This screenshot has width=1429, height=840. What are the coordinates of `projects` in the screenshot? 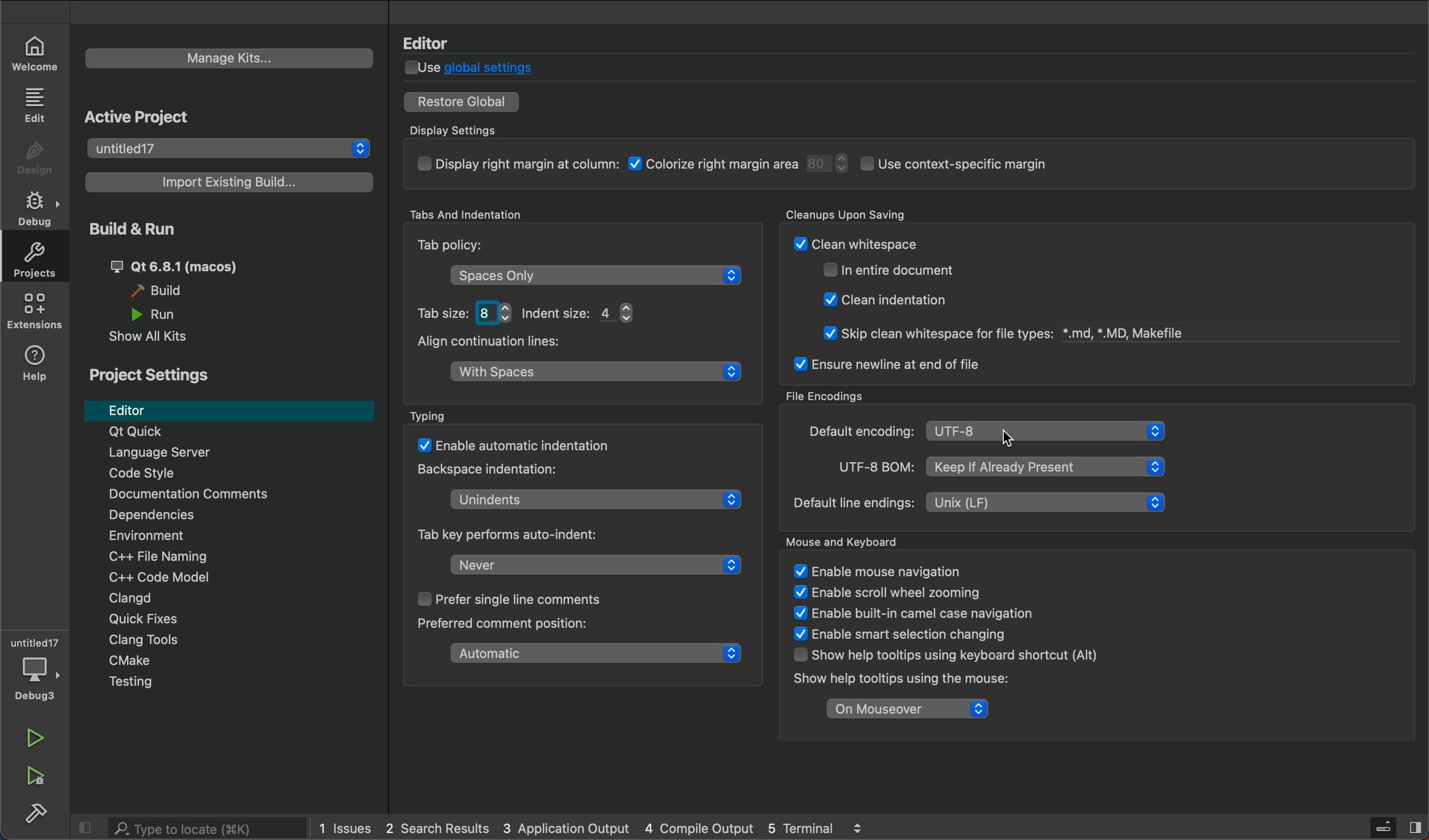 It's located at (40, 259).